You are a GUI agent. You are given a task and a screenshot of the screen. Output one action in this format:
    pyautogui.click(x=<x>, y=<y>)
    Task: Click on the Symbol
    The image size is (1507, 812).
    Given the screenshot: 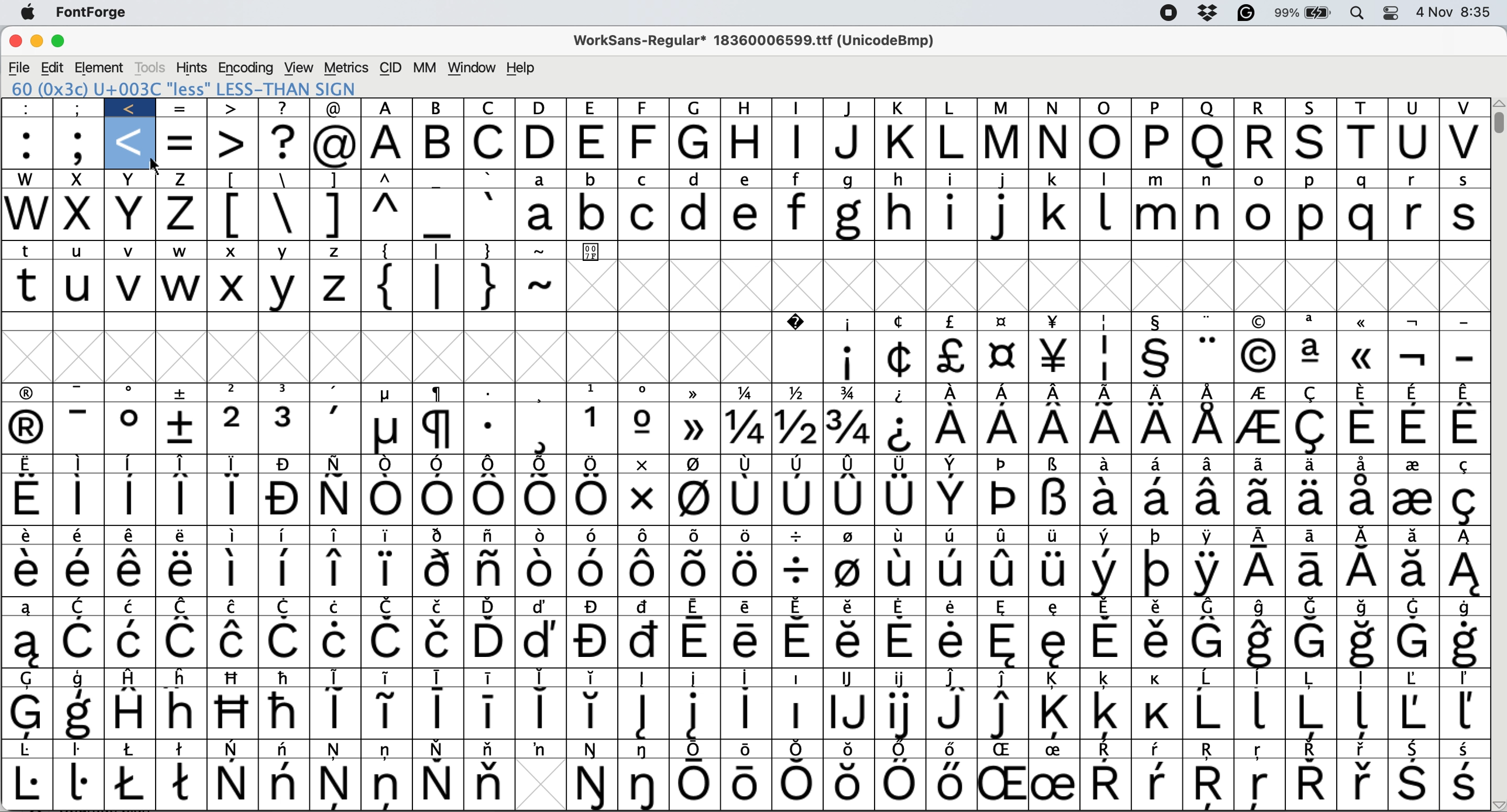 What is the action you would take?
    pyautogui.click(x=336, y=535)
    